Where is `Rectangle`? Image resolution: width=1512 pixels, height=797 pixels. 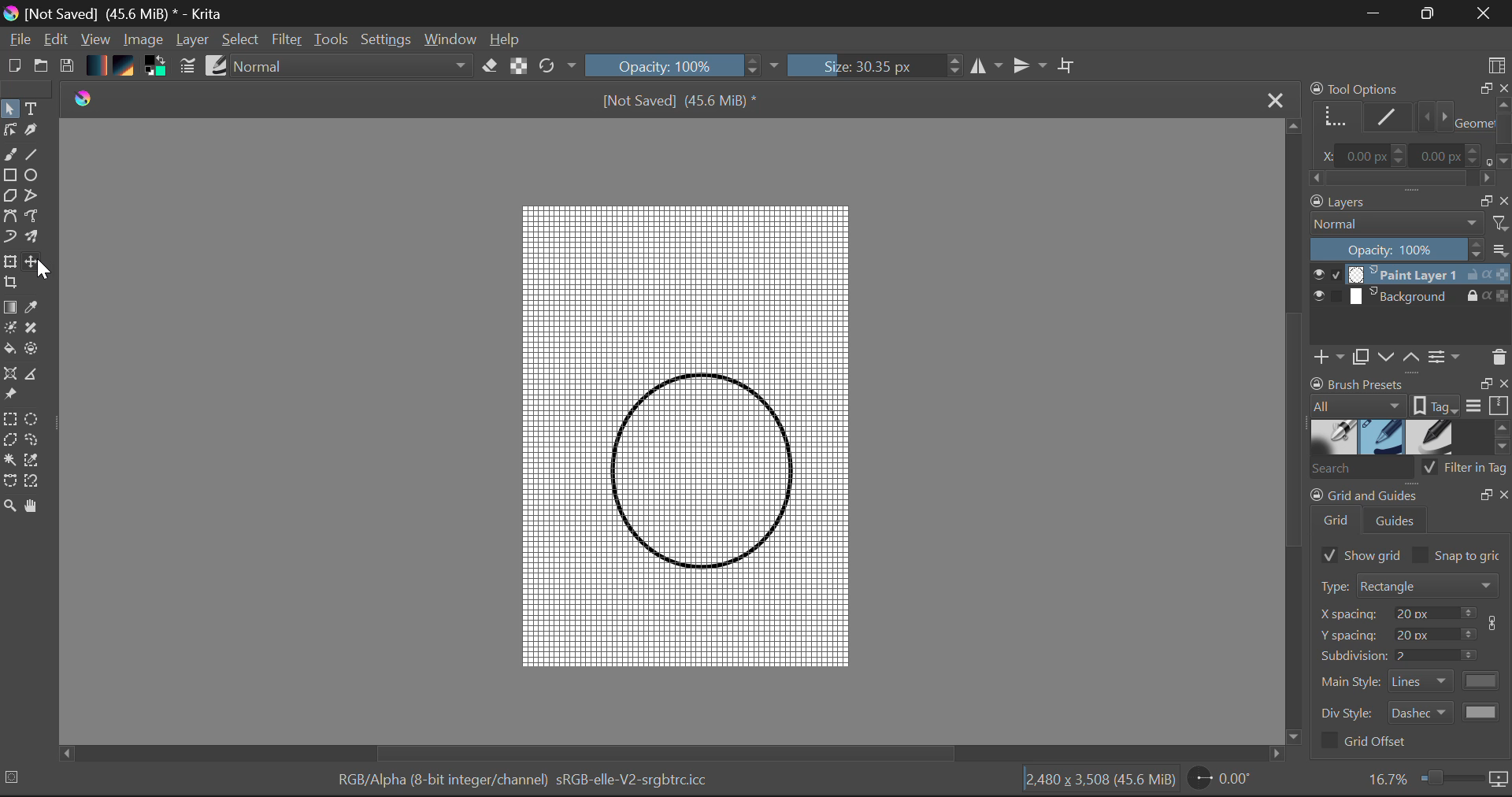
Rectangle is located at coordinates (9, 176).